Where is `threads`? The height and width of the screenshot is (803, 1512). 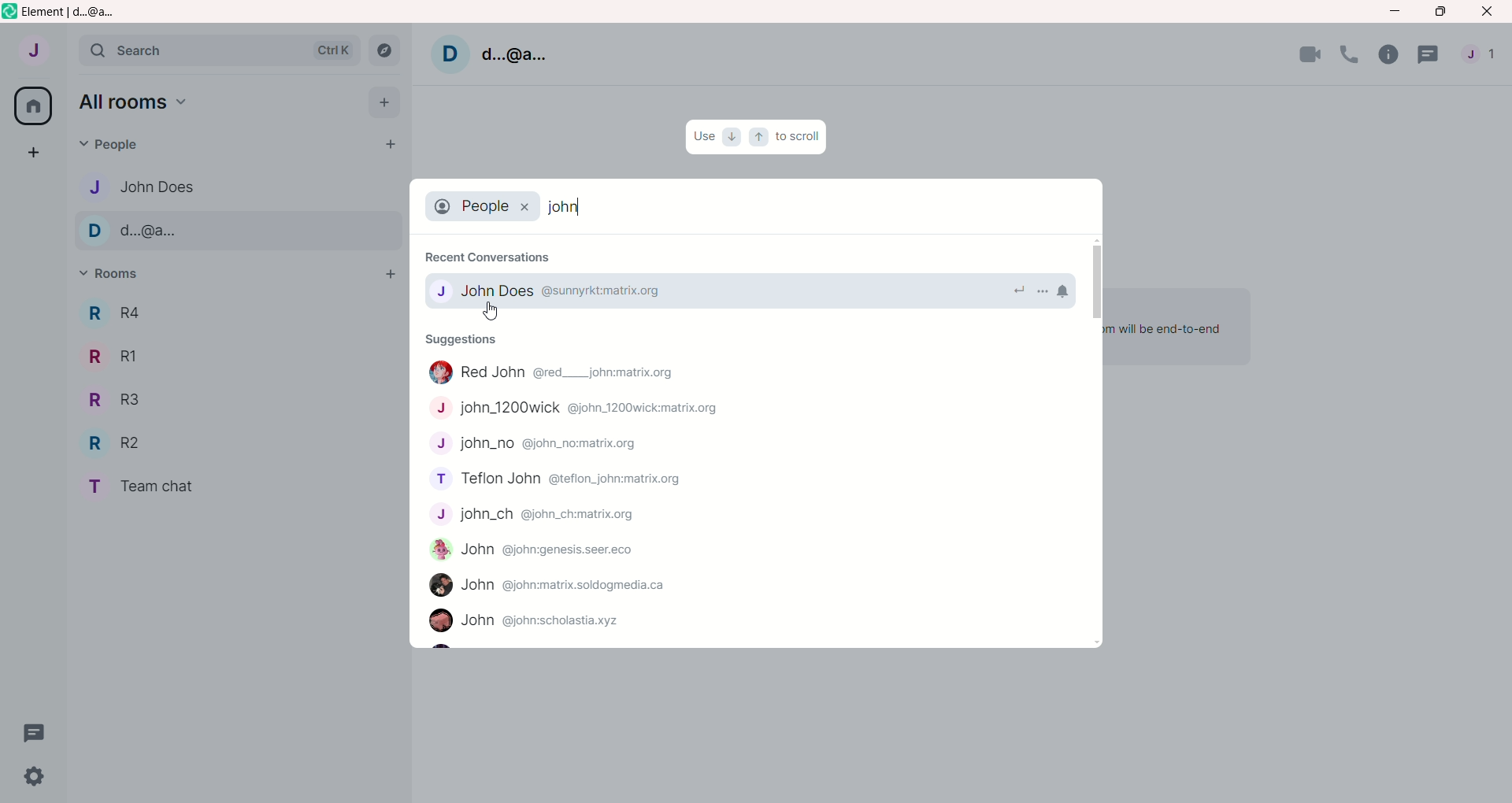 threads is located at coordinates (1432, 58).